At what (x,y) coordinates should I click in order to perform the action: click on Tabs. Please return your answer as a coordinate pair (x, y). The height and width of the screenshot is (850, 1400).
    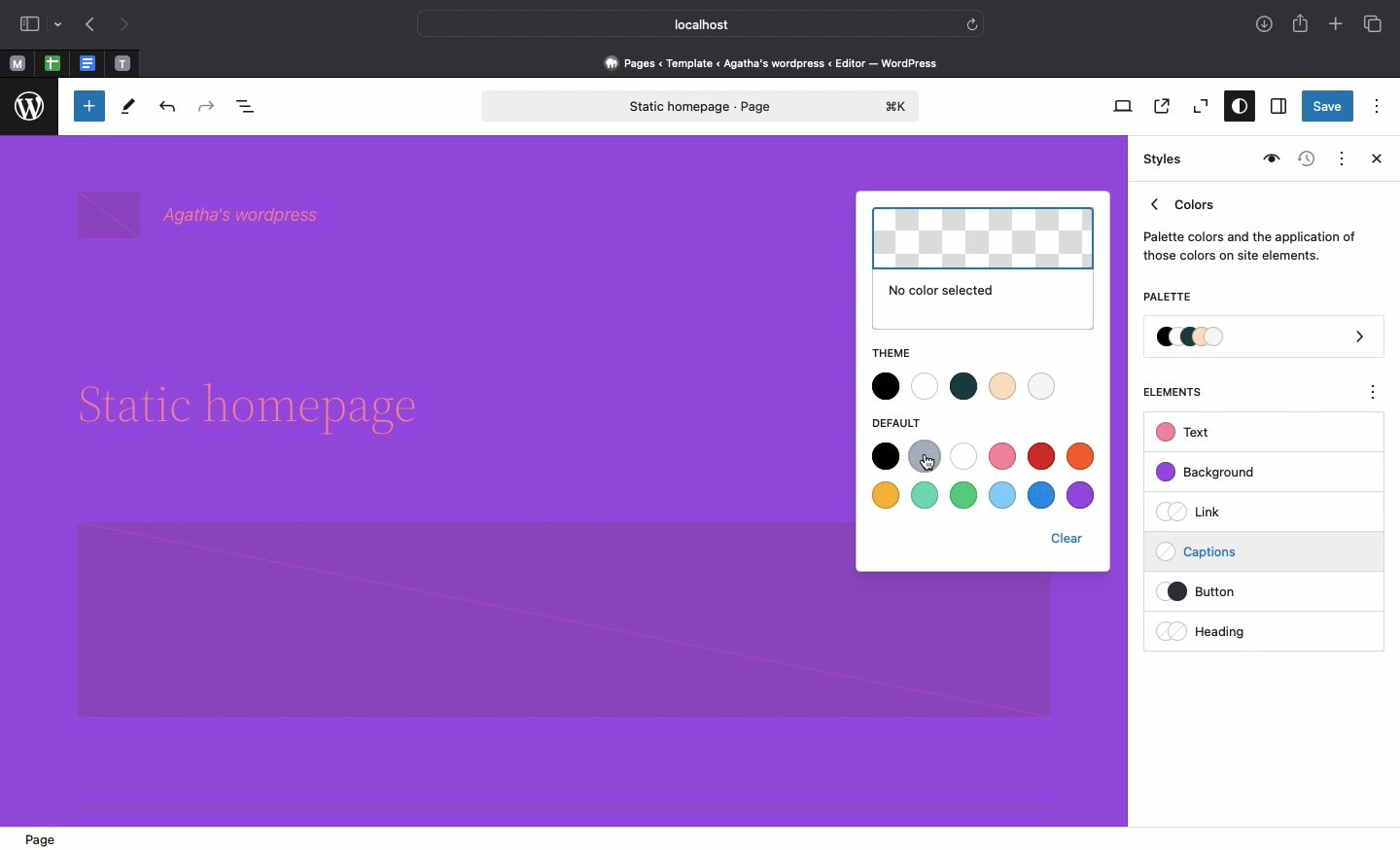
    Looking at the image, I should click on (1375, 24).